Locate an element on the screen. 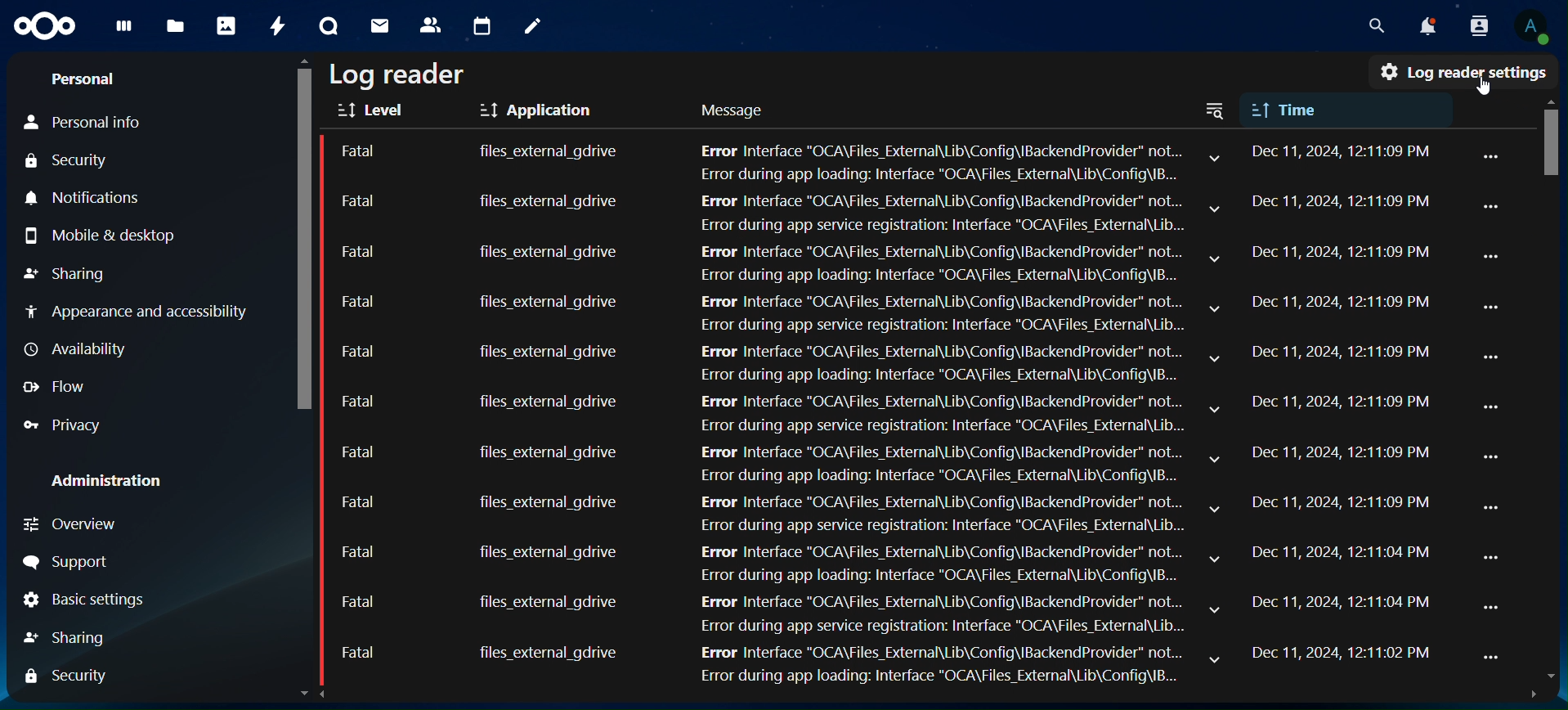 This screenshot has width=1568, height=710. level is located at coordinates (376, 110).